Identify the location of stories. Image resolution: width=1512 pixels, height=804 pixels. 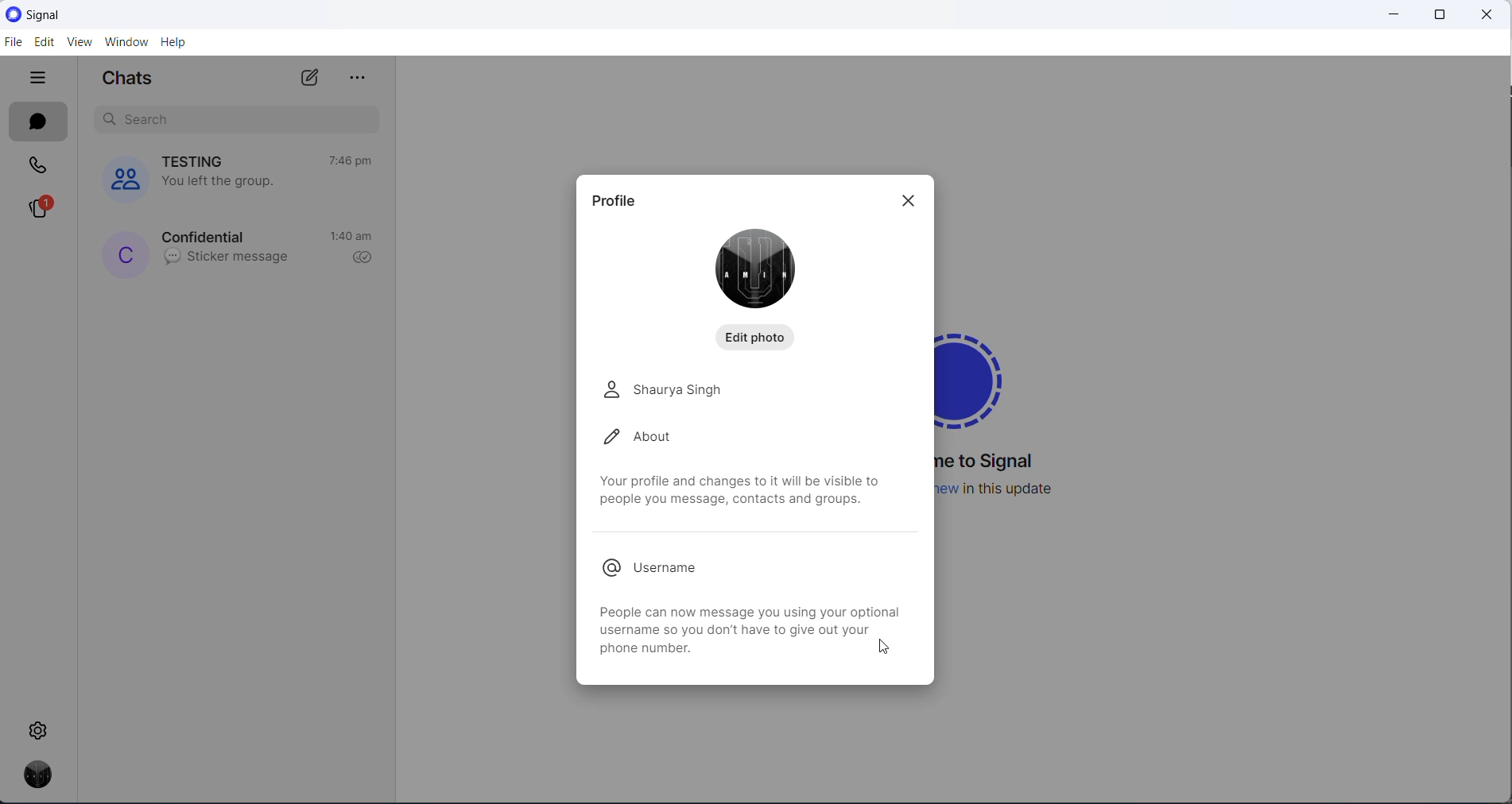
(39, 208).